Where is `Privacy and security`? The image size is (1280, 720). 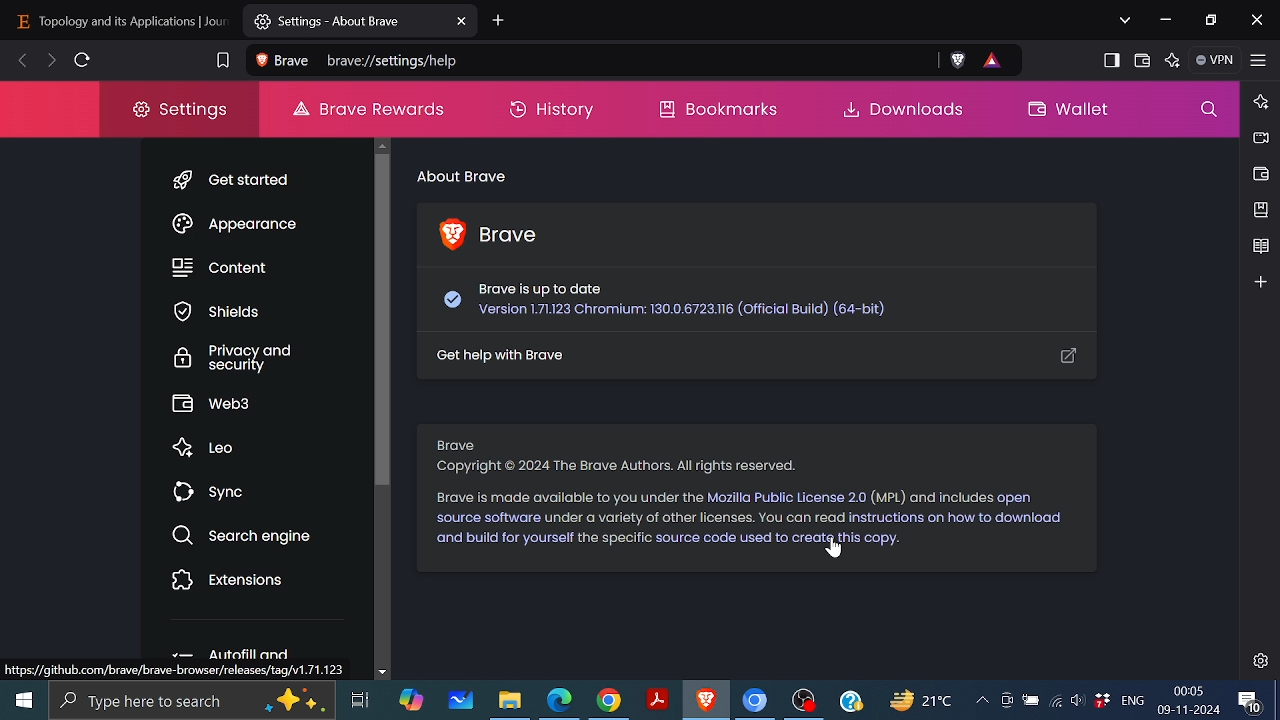 Privacy and security is located at coordinates (233, 358).